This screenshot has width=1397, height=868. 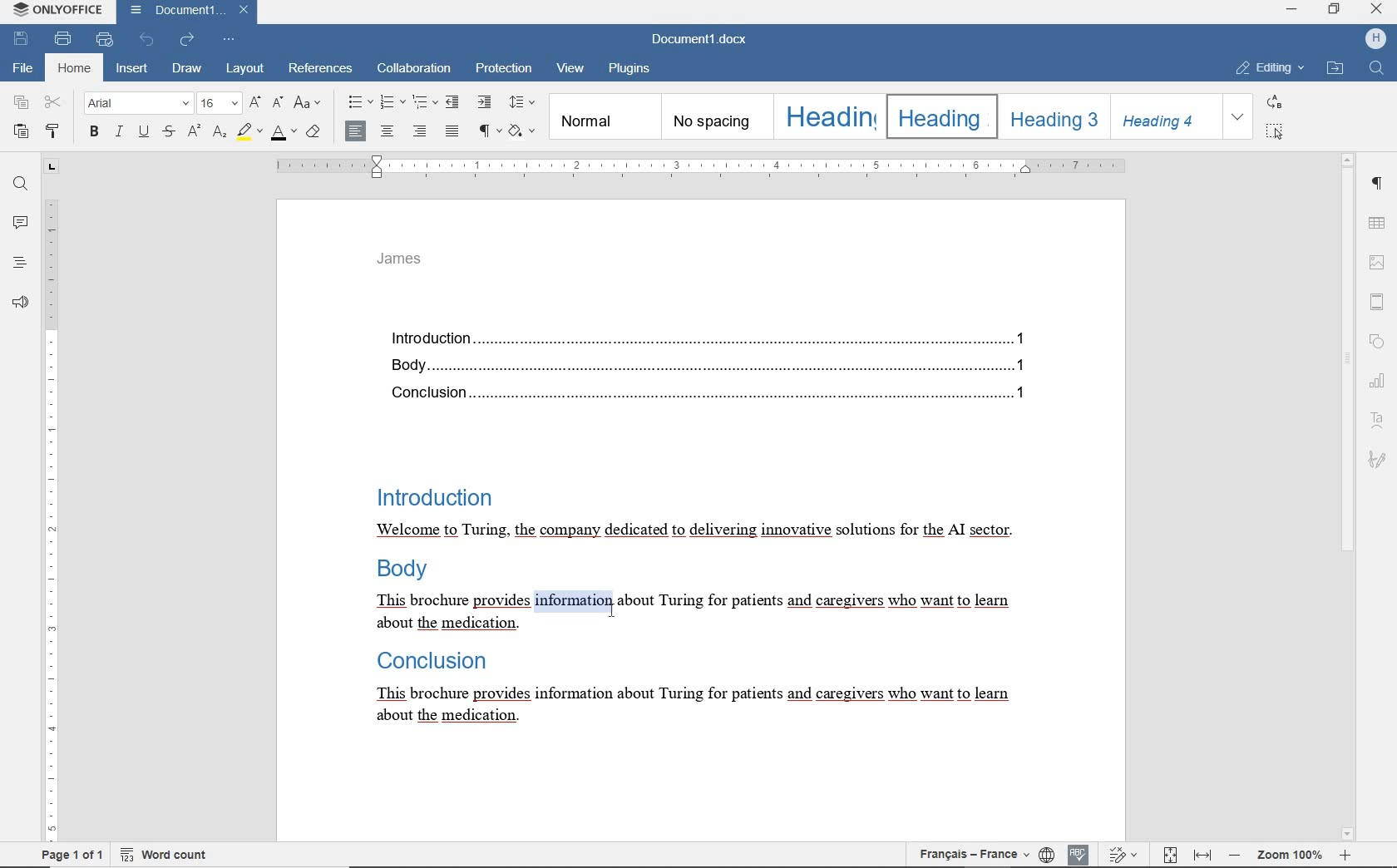 What do you see at coordinates (119, 133) in the screenshot?
I see `ITALIC` at bounding box center [119, 133].